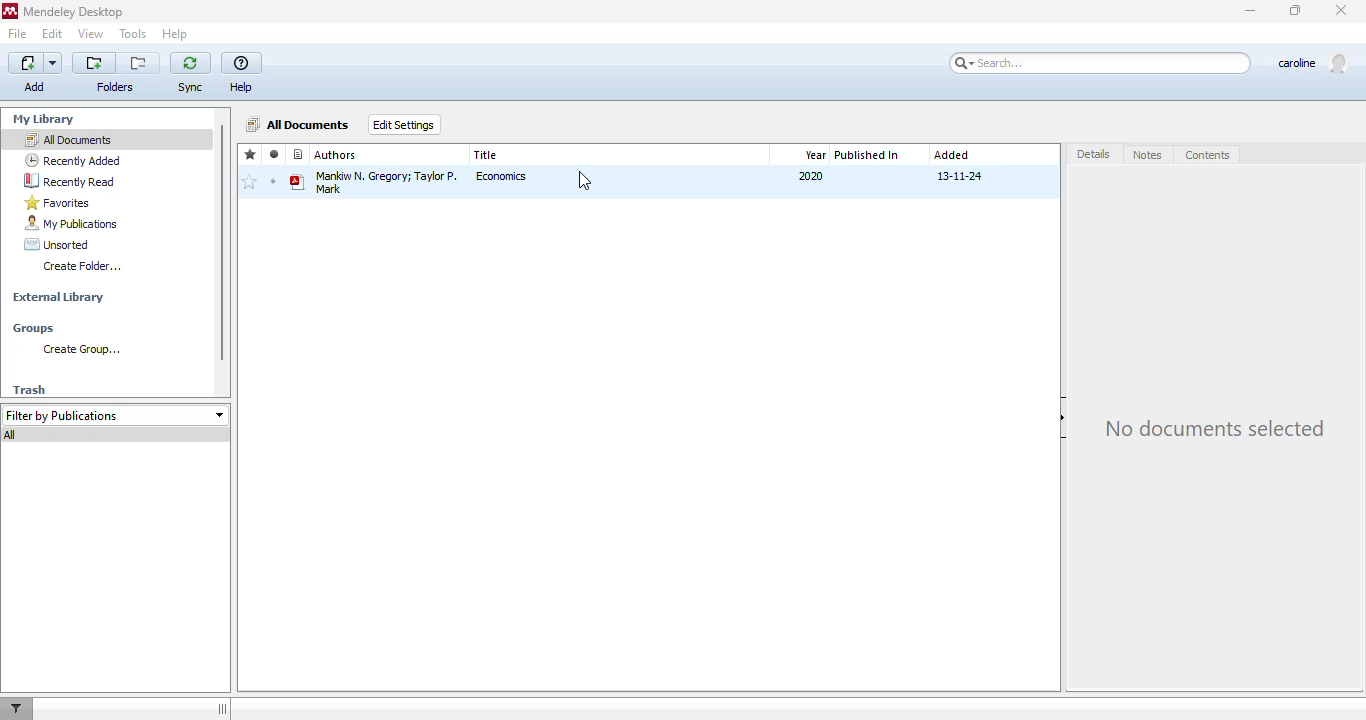 The image size is (1366, 720). What do you see at coordinates (45, 119) in the screenshot?
I see `my library` at bounding box center [45, 119].